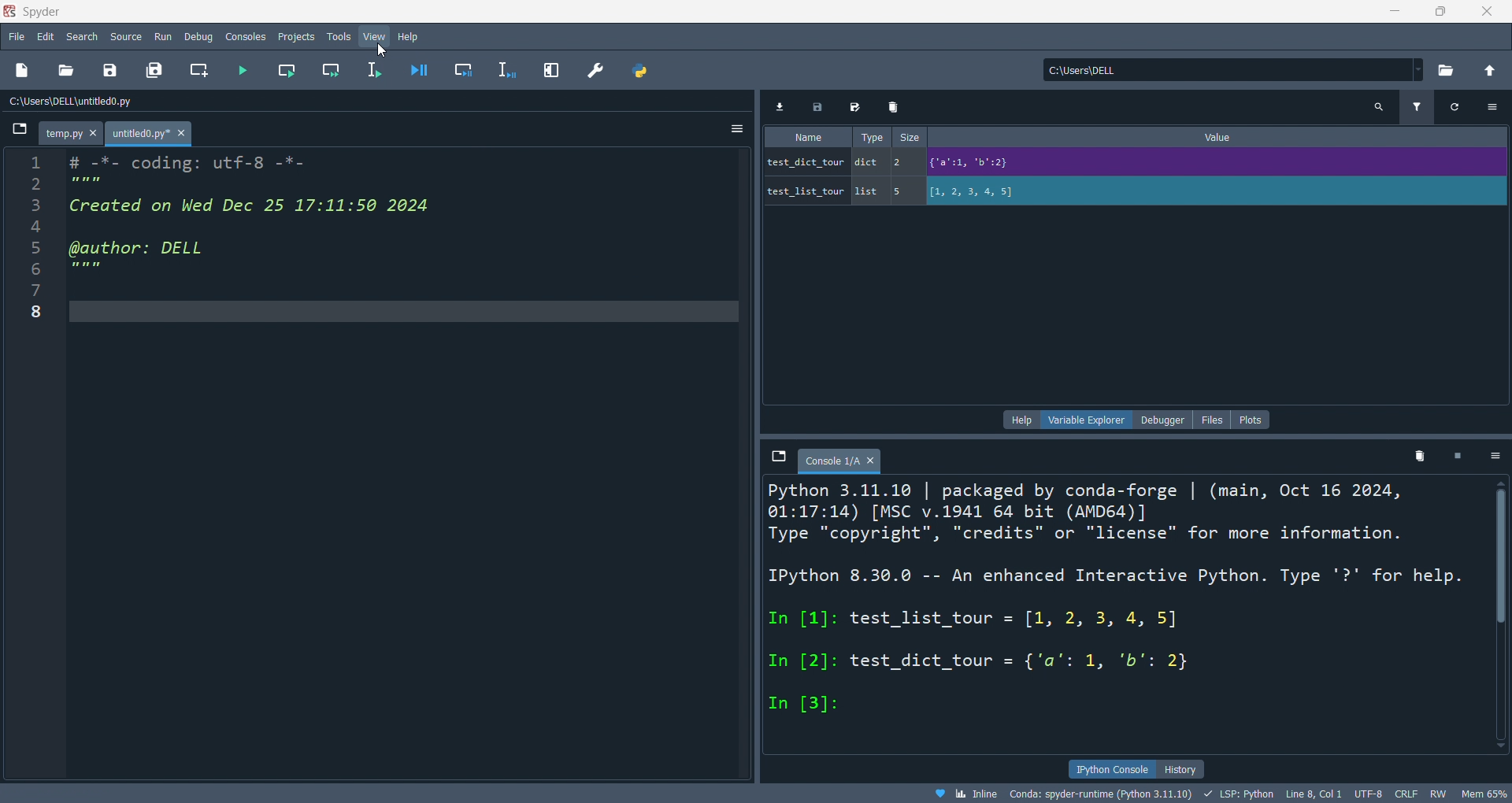 The height and width of the screenshot is (803, 1512). I want to click on run cell, so click(286, 71).